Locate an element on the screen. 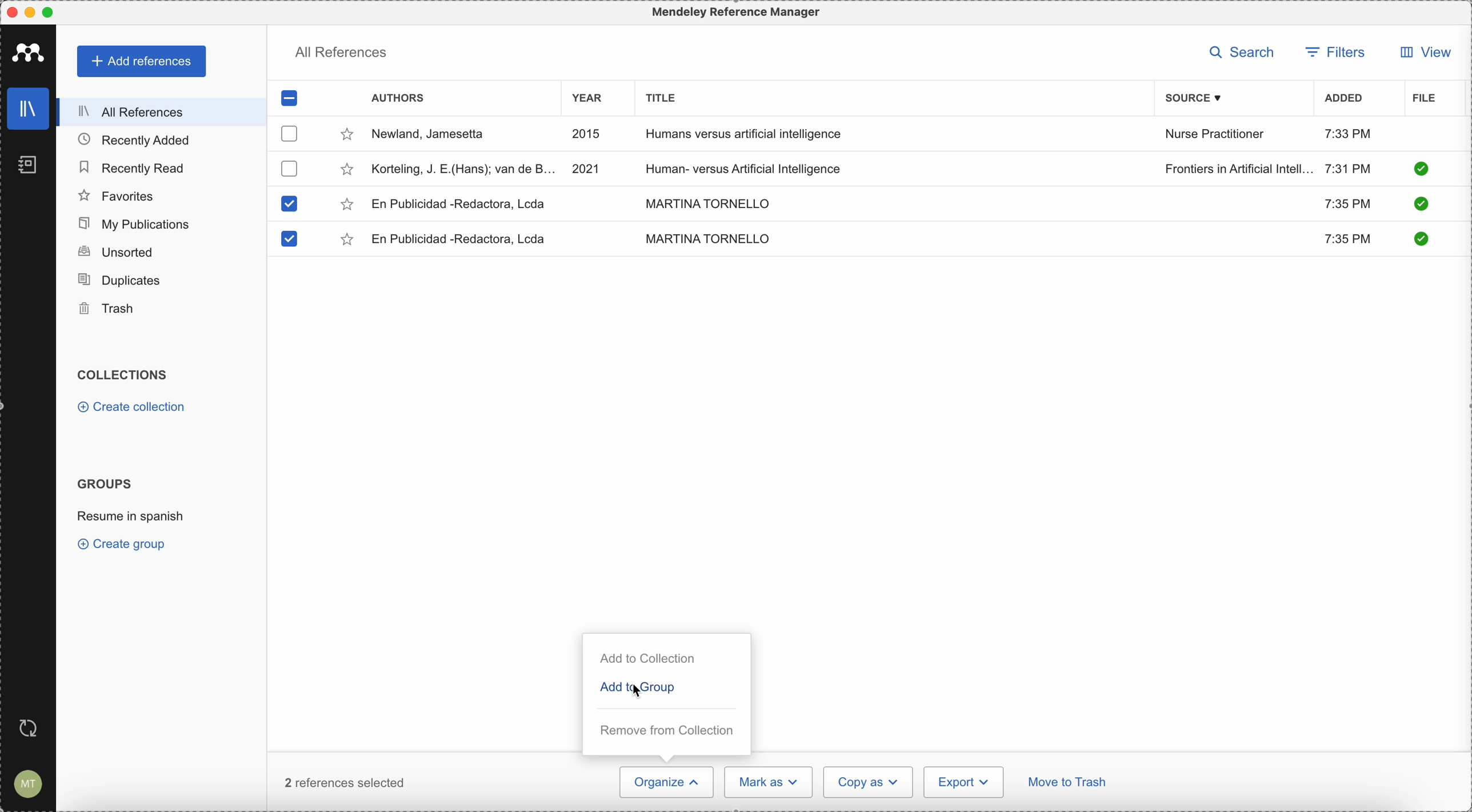 This screenshot has height=812, width=1472. mark as is located at coordinates (769, 782).